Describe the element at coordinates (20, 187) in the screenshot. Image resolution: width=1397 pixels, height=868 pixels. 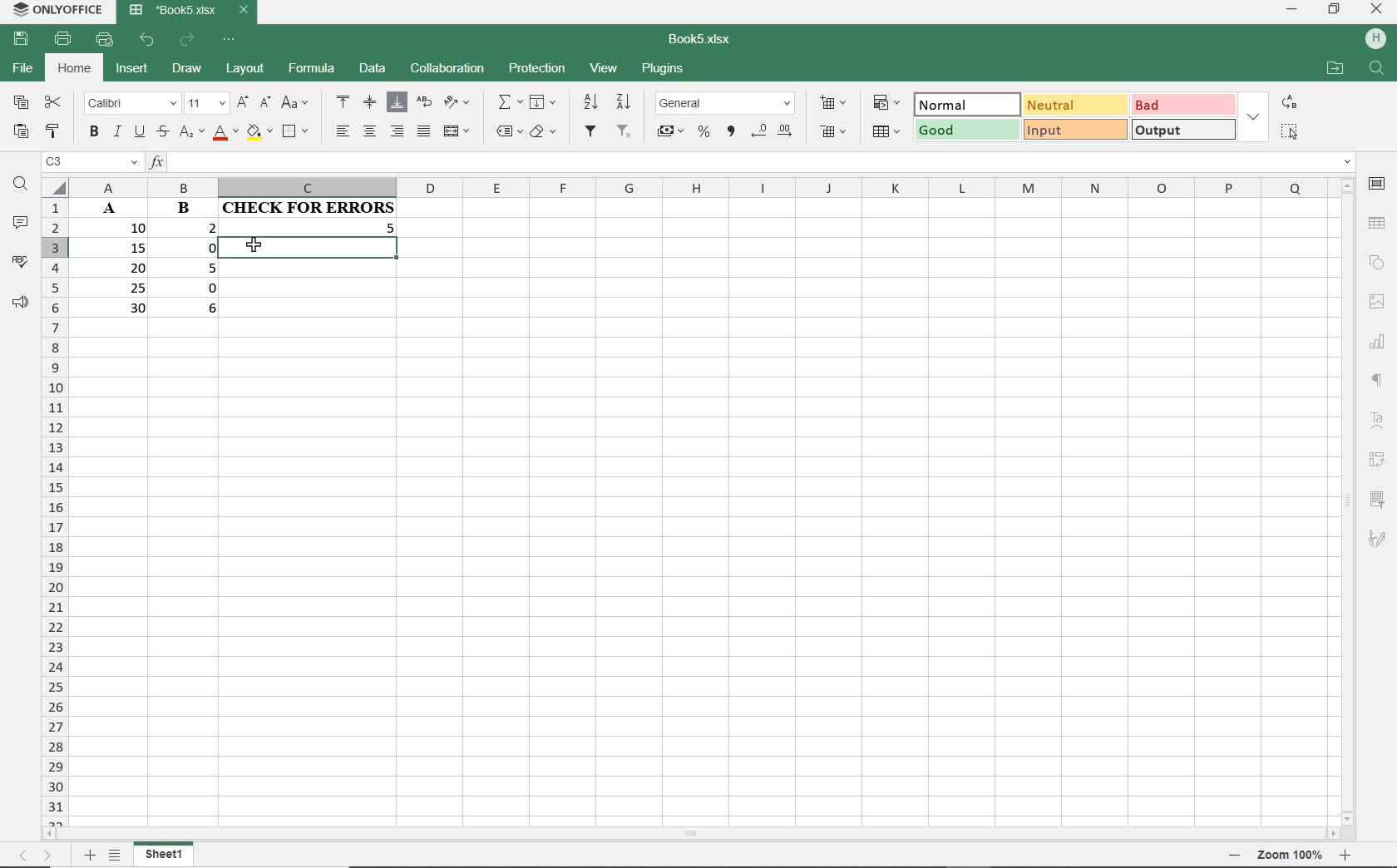
I see `FIND` at that location.